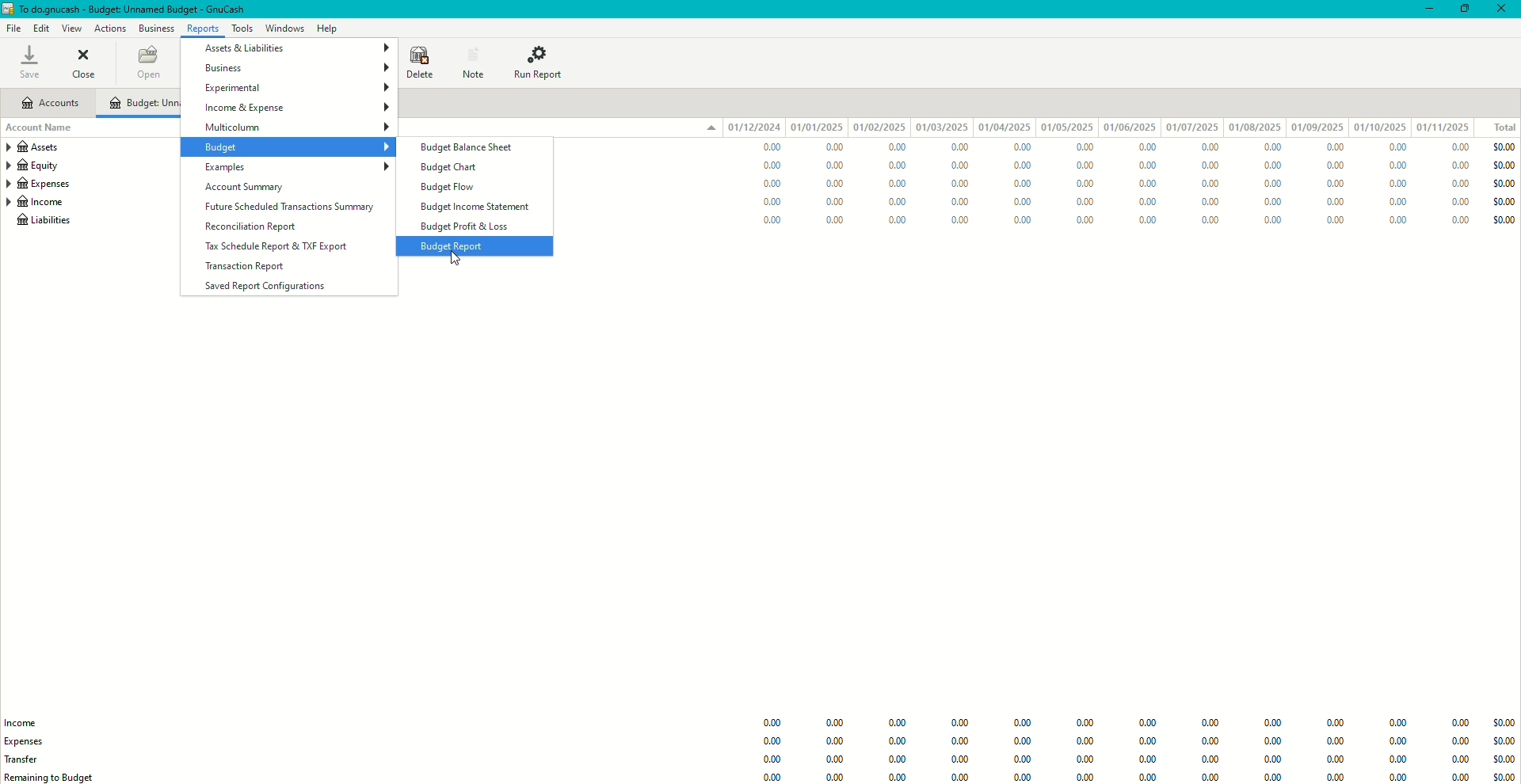 The image size is (1521, 784). Describe the element at coordinates (1338, 185) in the screenshot. I see `0.00` at that location.